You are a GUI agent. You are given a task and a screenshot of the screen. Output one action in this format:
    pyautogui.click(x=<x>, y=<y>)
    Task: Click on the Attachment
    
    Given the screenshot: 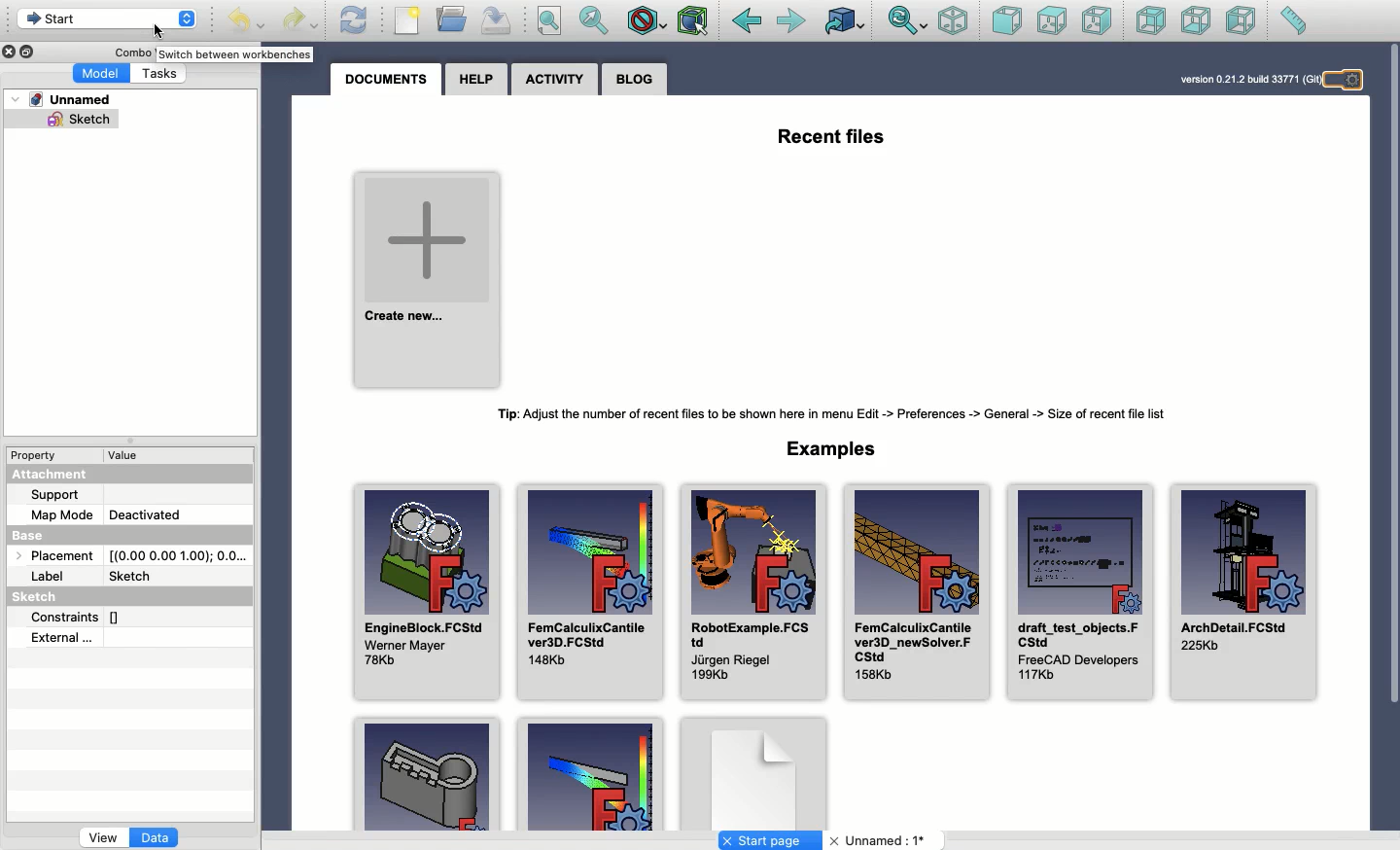 What is the action you would take?
    pyautogui.click(x=46, y=477)
    